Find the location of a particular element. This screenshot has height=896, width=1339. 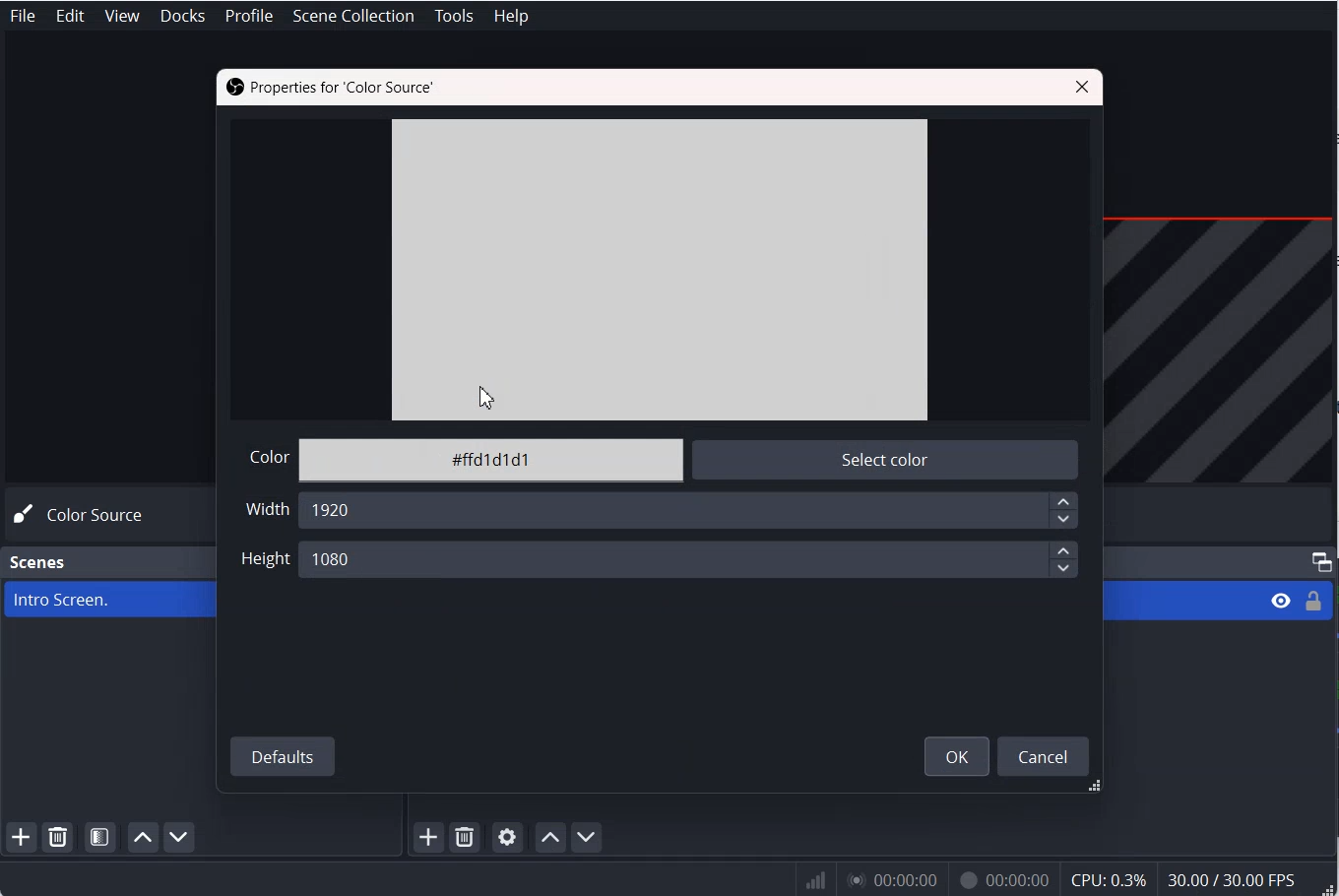

Add Scene is located at coordinates (21, 838).